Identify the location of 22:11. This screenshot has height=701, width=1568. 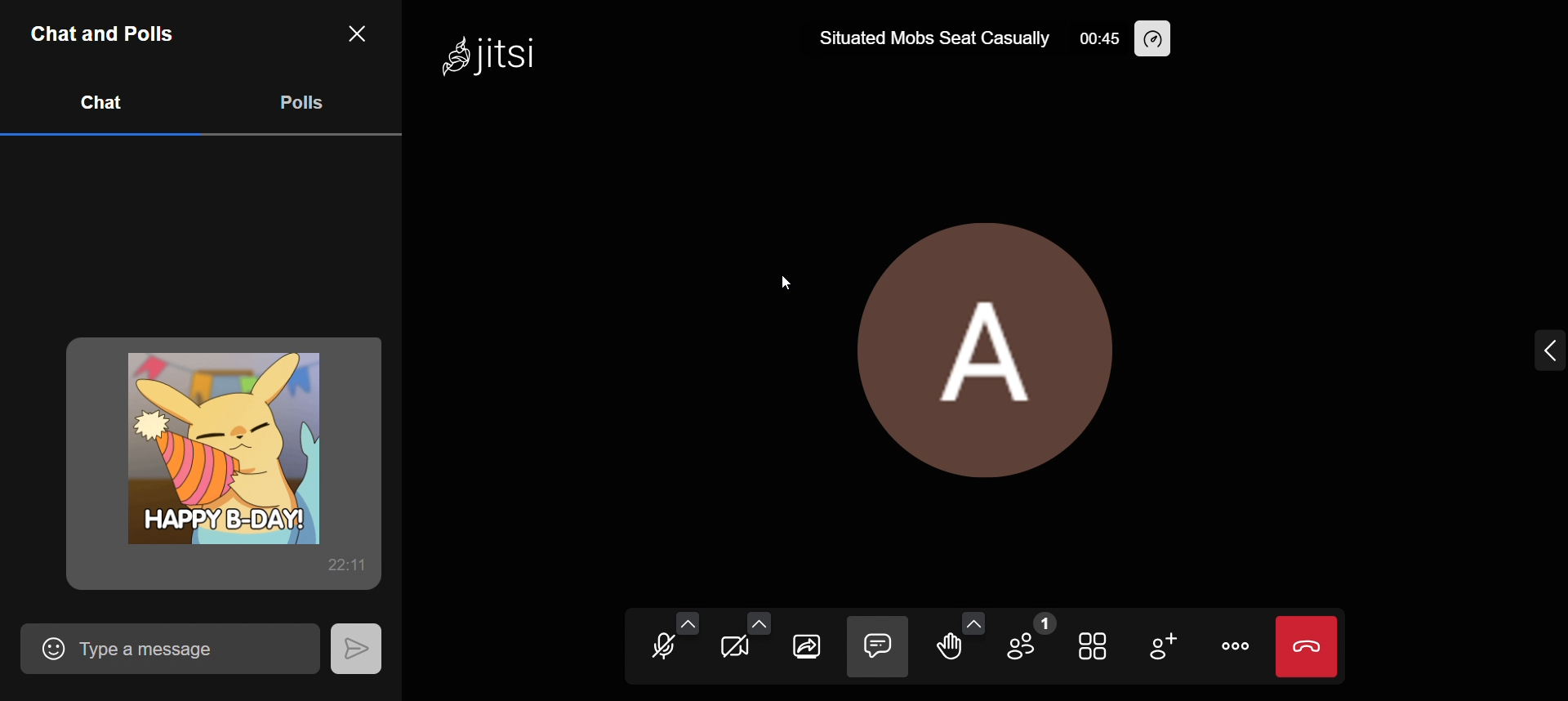
(347, 564).